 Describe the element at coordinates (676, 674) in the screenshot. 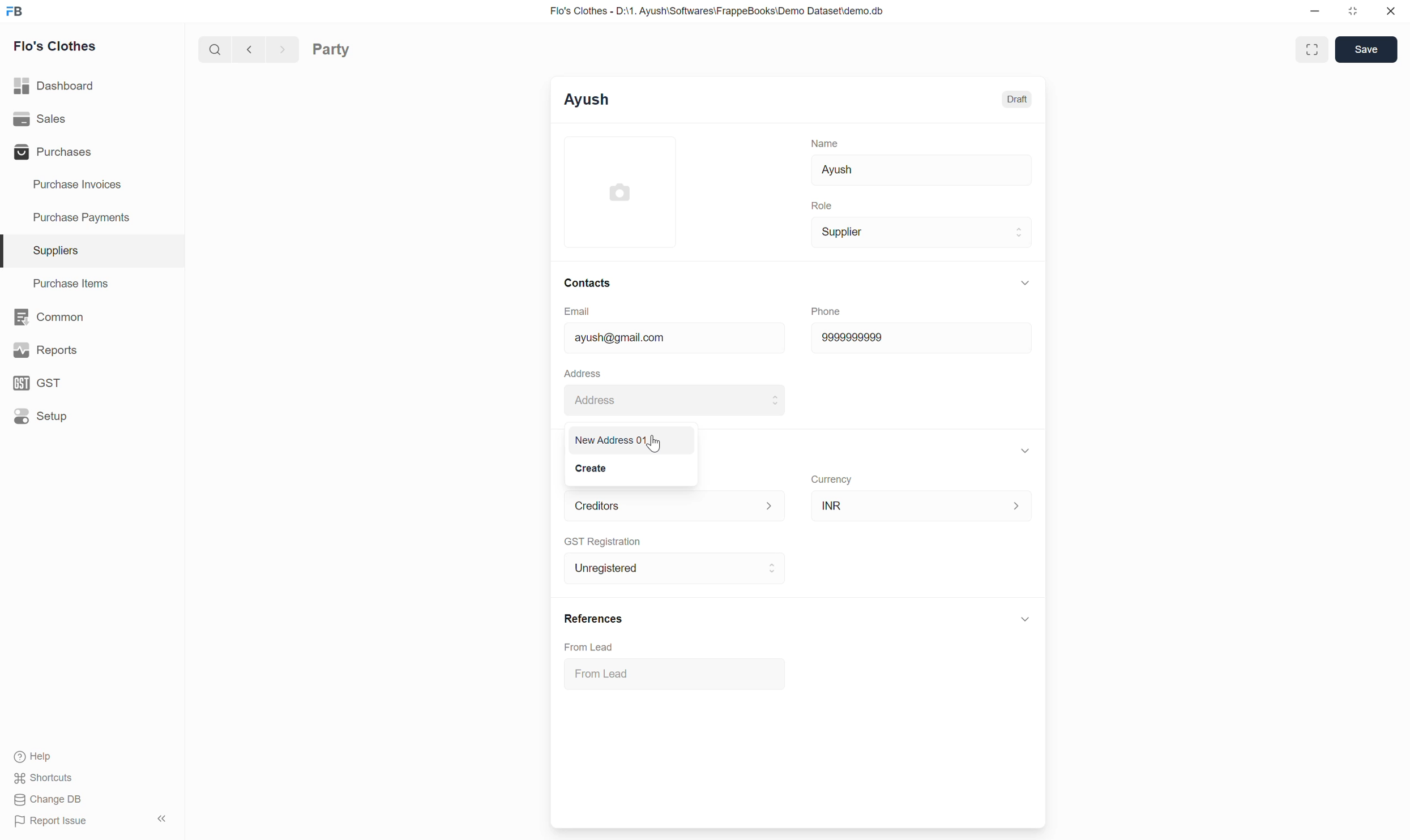

I see `From Lead` at that location.